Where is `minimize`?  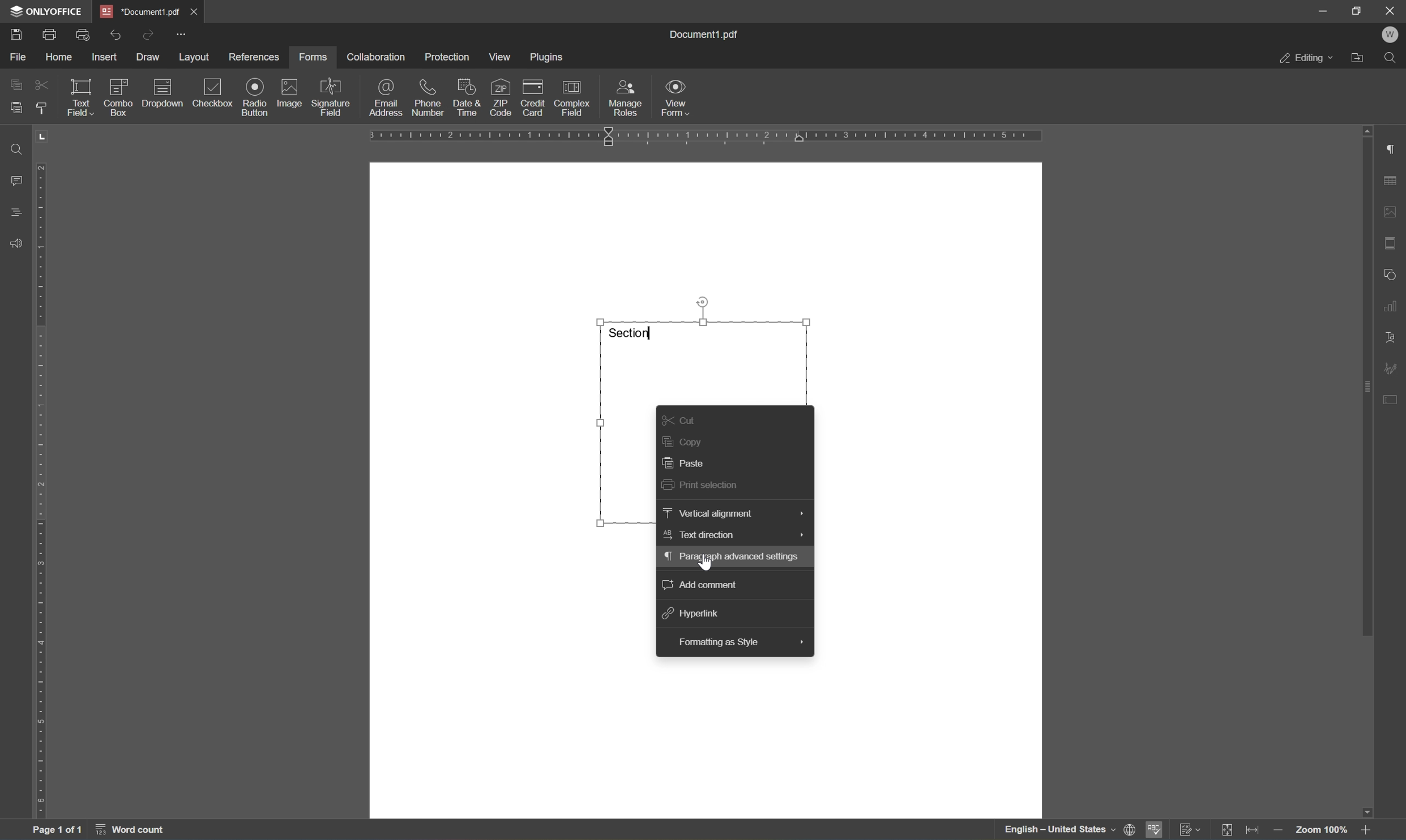
minimize is located at coordinates (1323, 10).